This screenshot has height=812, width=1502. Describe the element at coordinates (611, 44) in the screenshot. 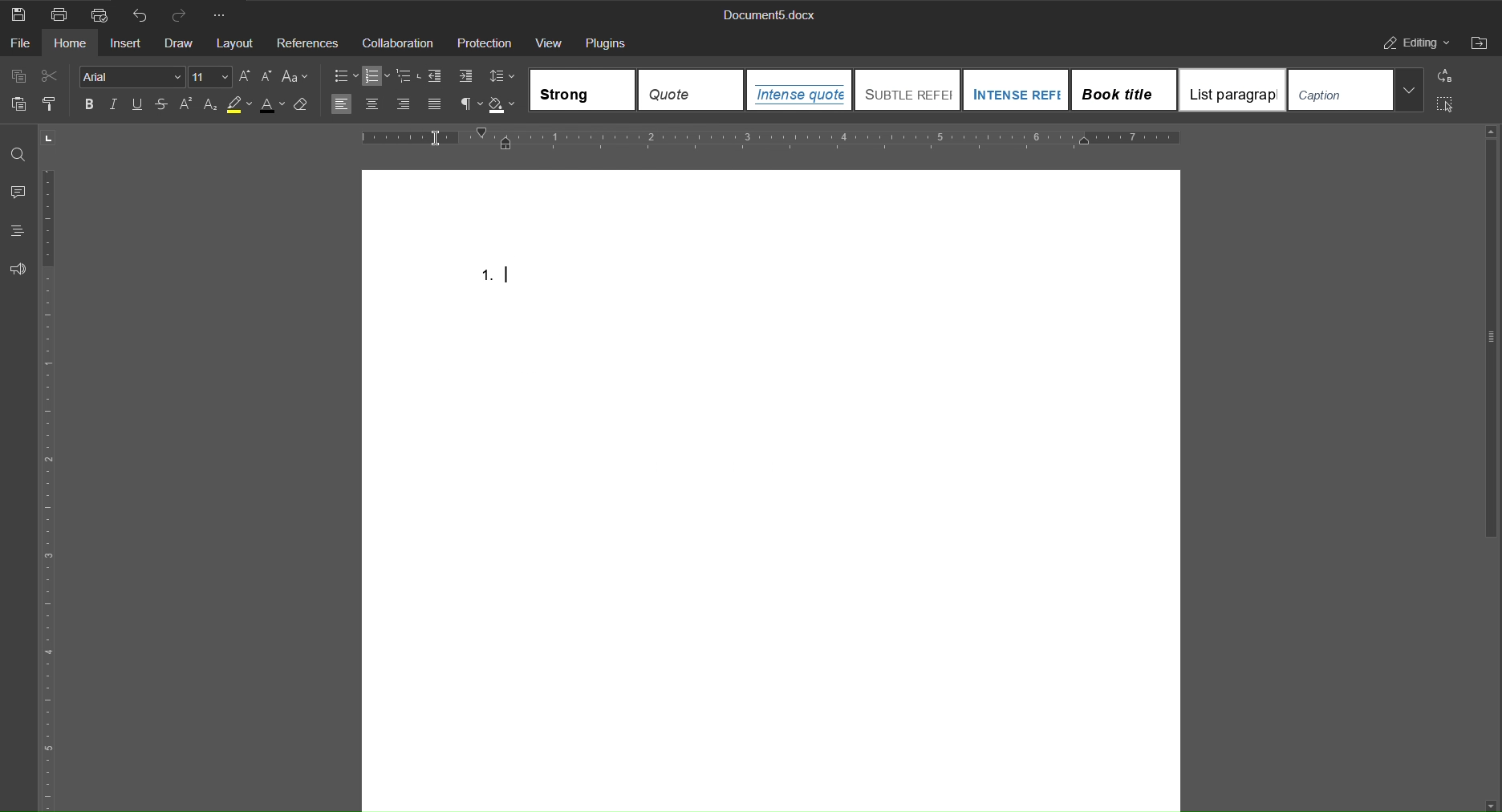

I see `Plugins` at that location.